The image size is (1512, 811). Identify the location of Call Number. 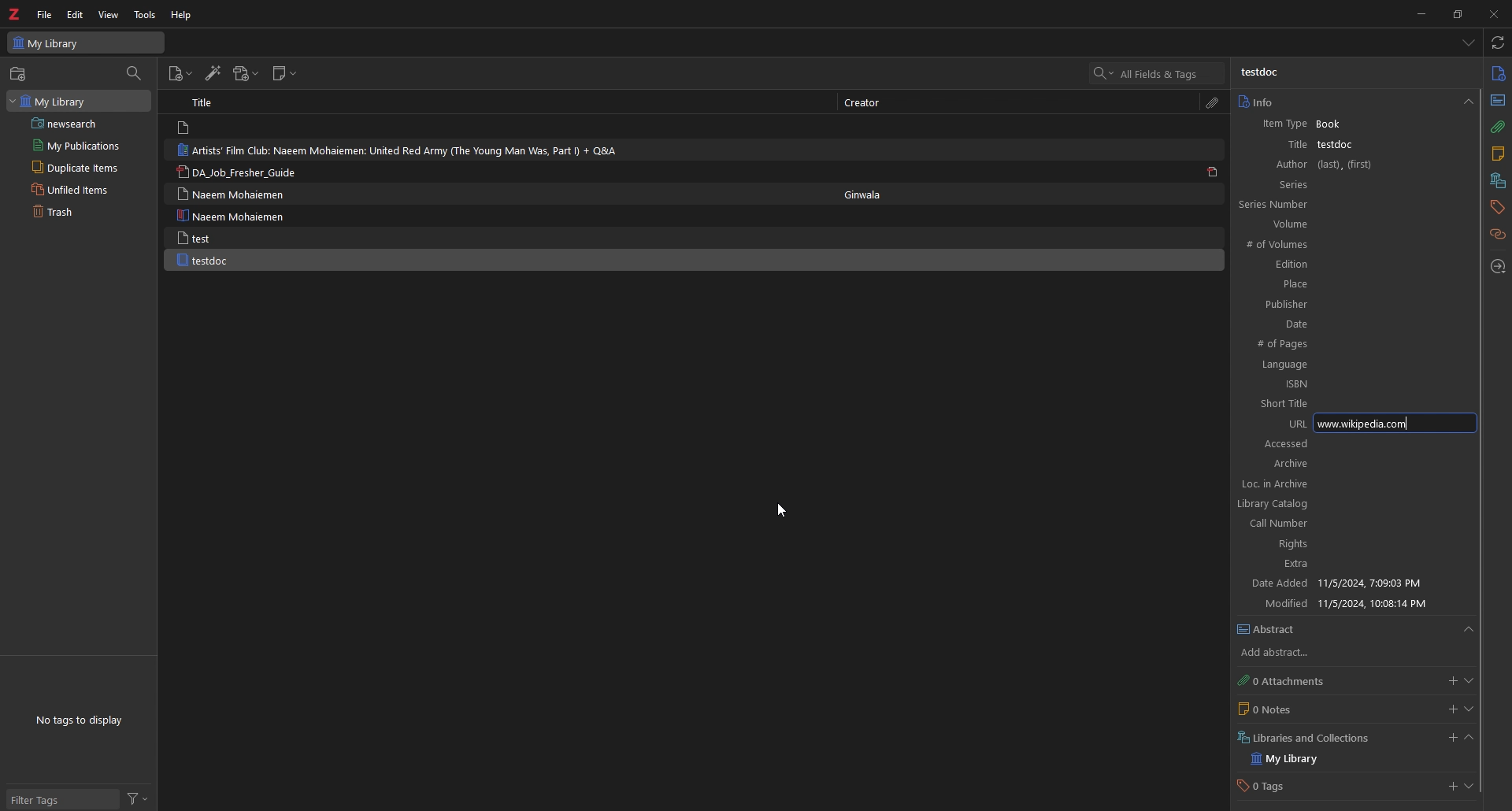
(1346, 524).